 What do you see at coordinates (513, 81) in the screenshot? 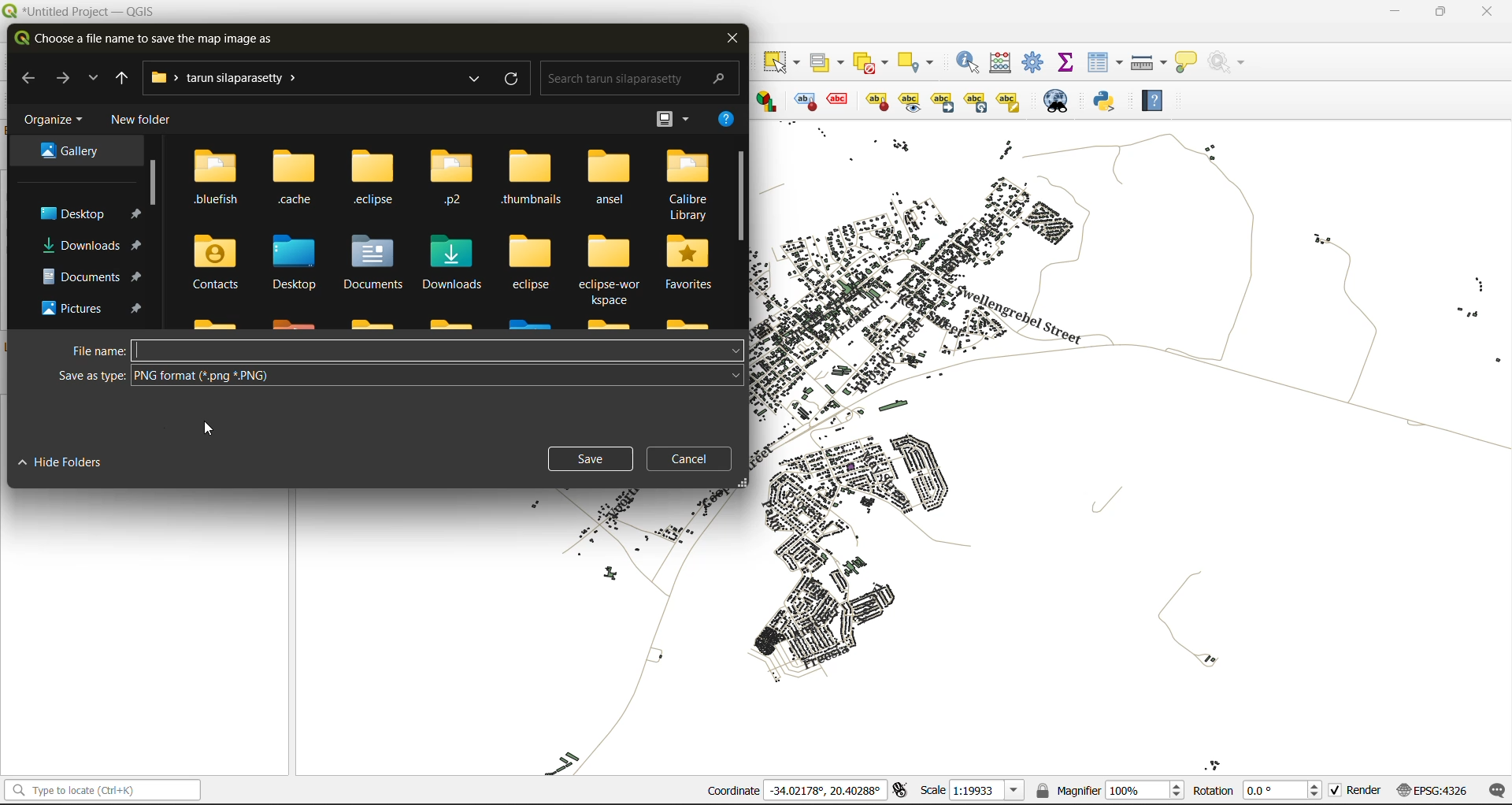
I see `refresh` at bounding box center [513, 81].